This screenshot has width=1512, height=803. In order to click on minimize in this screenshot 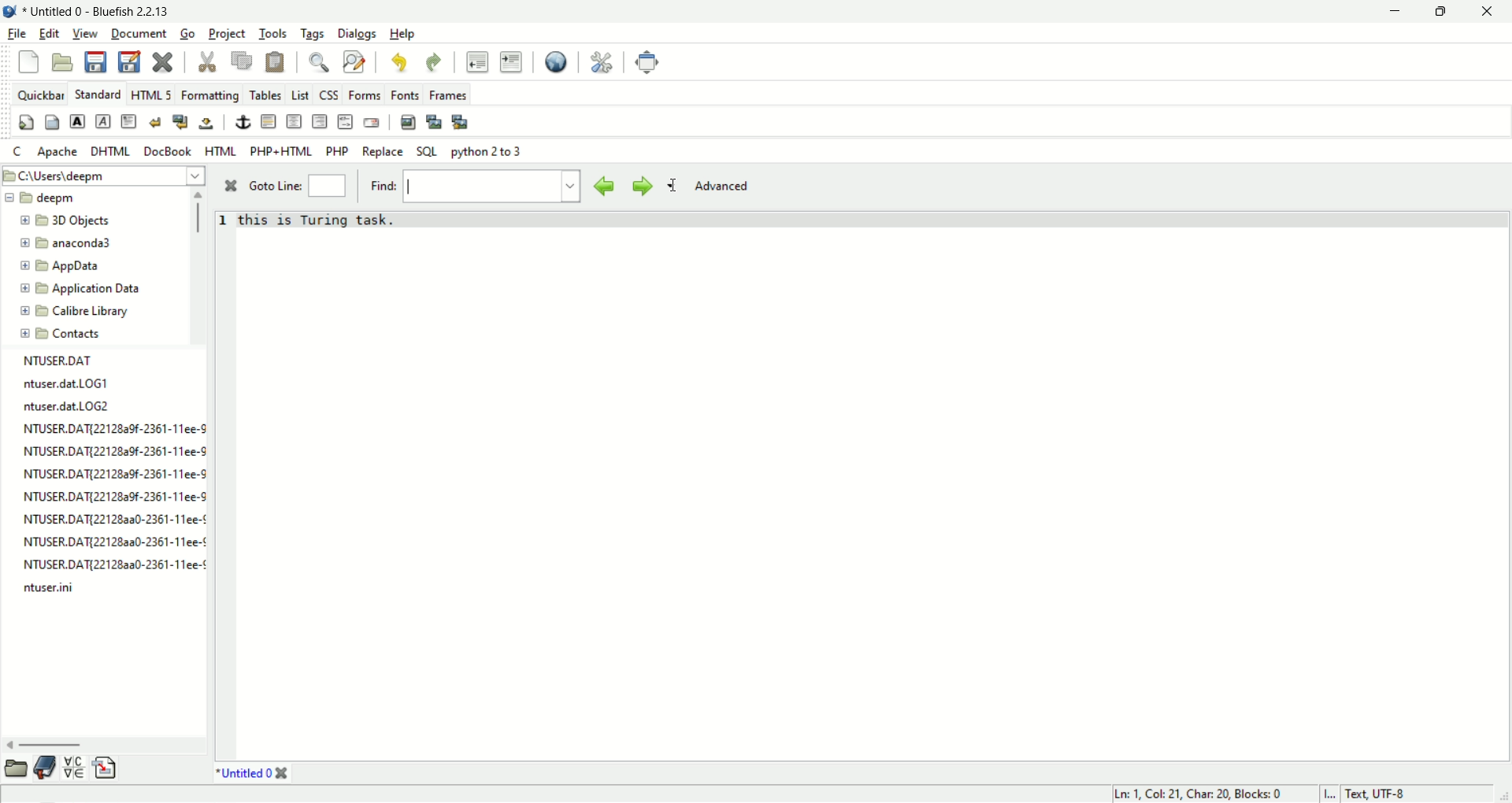, I will do `click(1391, 13)`.